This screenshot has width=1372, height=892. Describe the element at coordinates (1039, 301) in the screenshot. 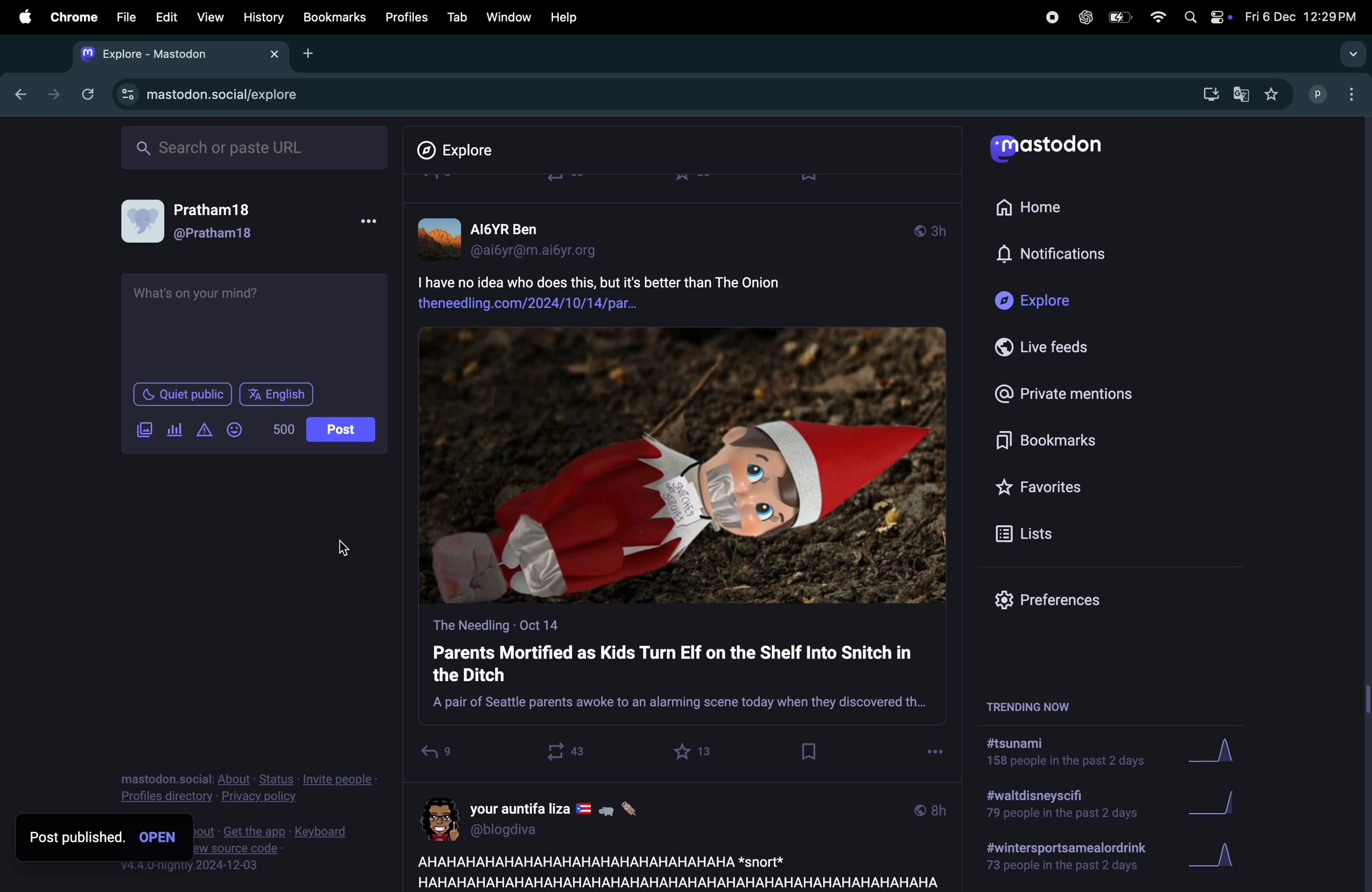

I see `Explore` at that location.